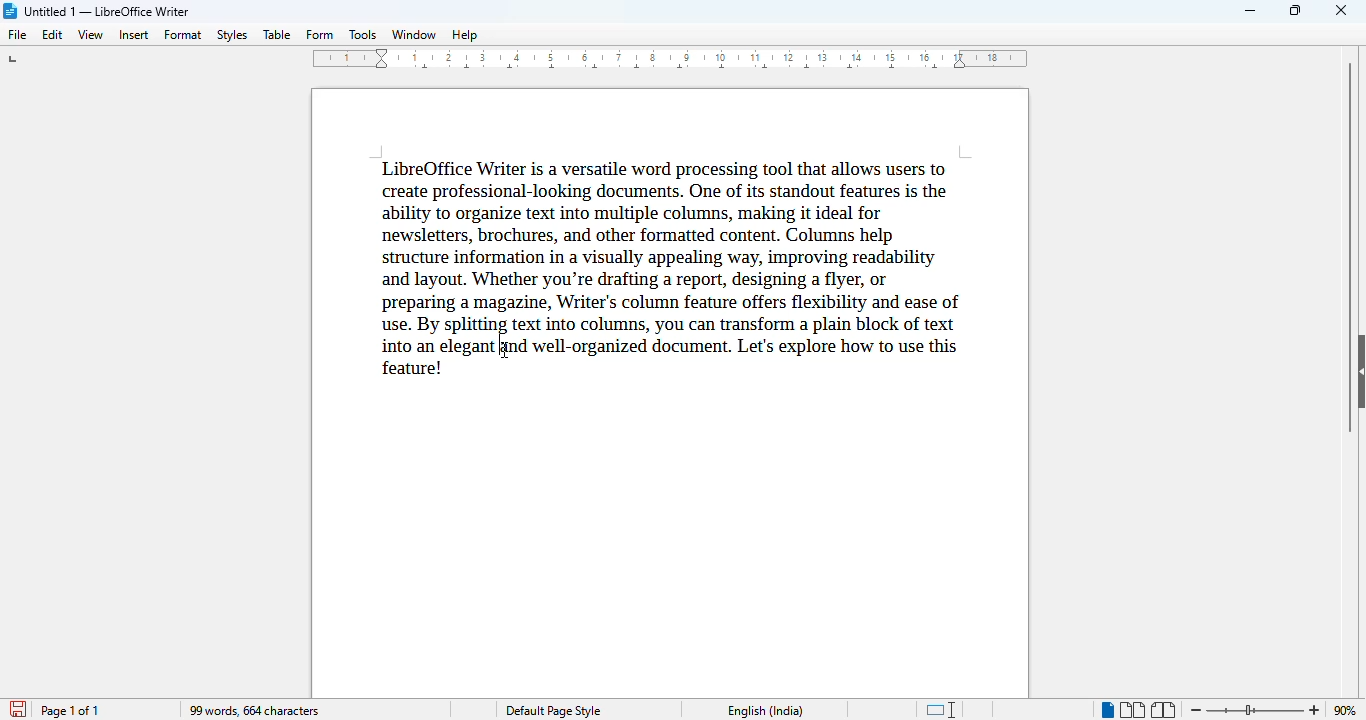 Image resolution: width=1366 pixels, height=720 pixels. What do you see at coordinates (1357, 370) in the screenshot?
I see `show` at bounding box center [1357, 370].